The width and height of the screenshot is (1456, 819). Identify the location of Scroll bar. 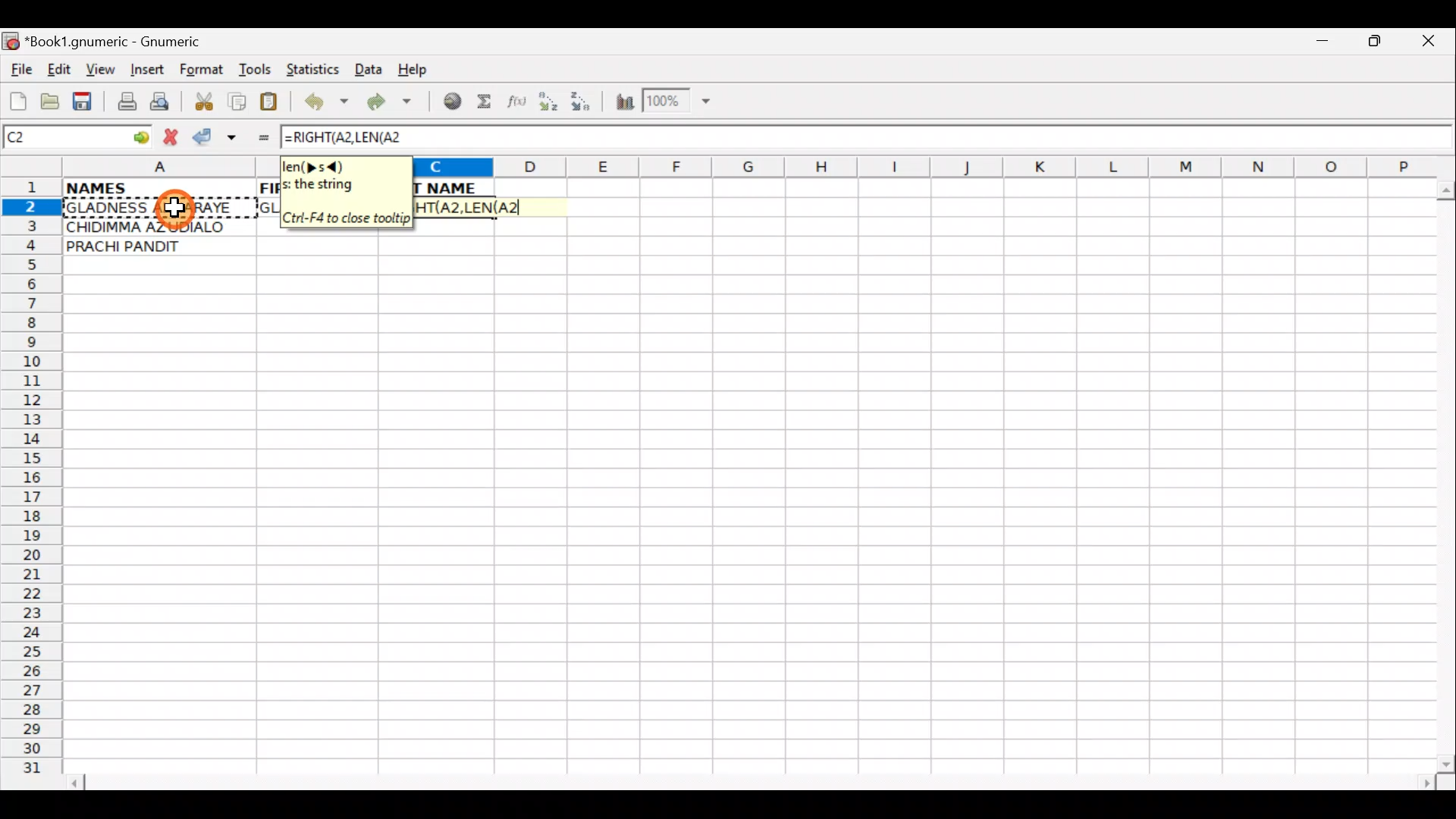
(1442, 473).